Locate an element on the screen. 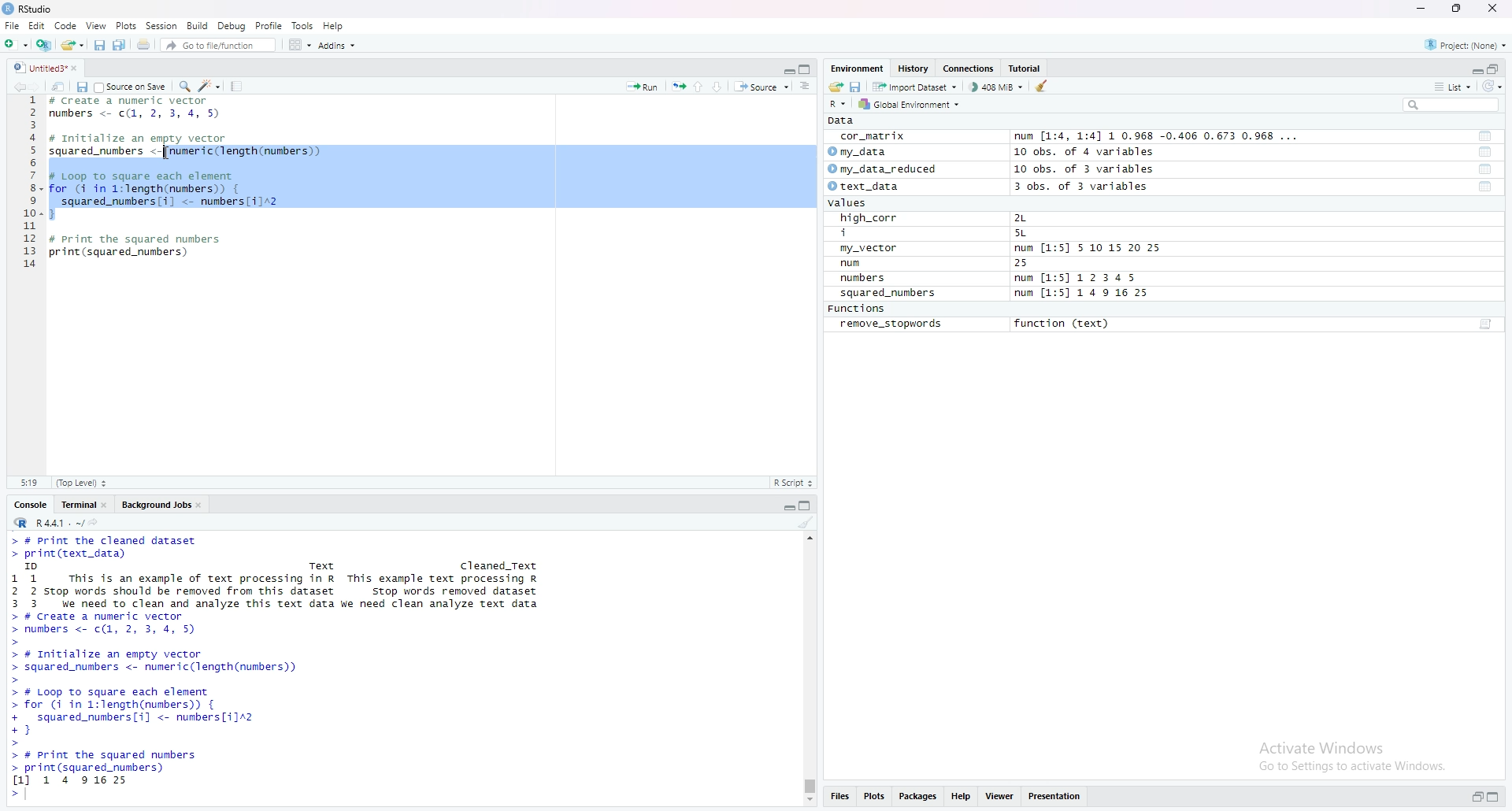 This screenshot has height=811, width=1512. Terminal is located at coordinates (76, 503).